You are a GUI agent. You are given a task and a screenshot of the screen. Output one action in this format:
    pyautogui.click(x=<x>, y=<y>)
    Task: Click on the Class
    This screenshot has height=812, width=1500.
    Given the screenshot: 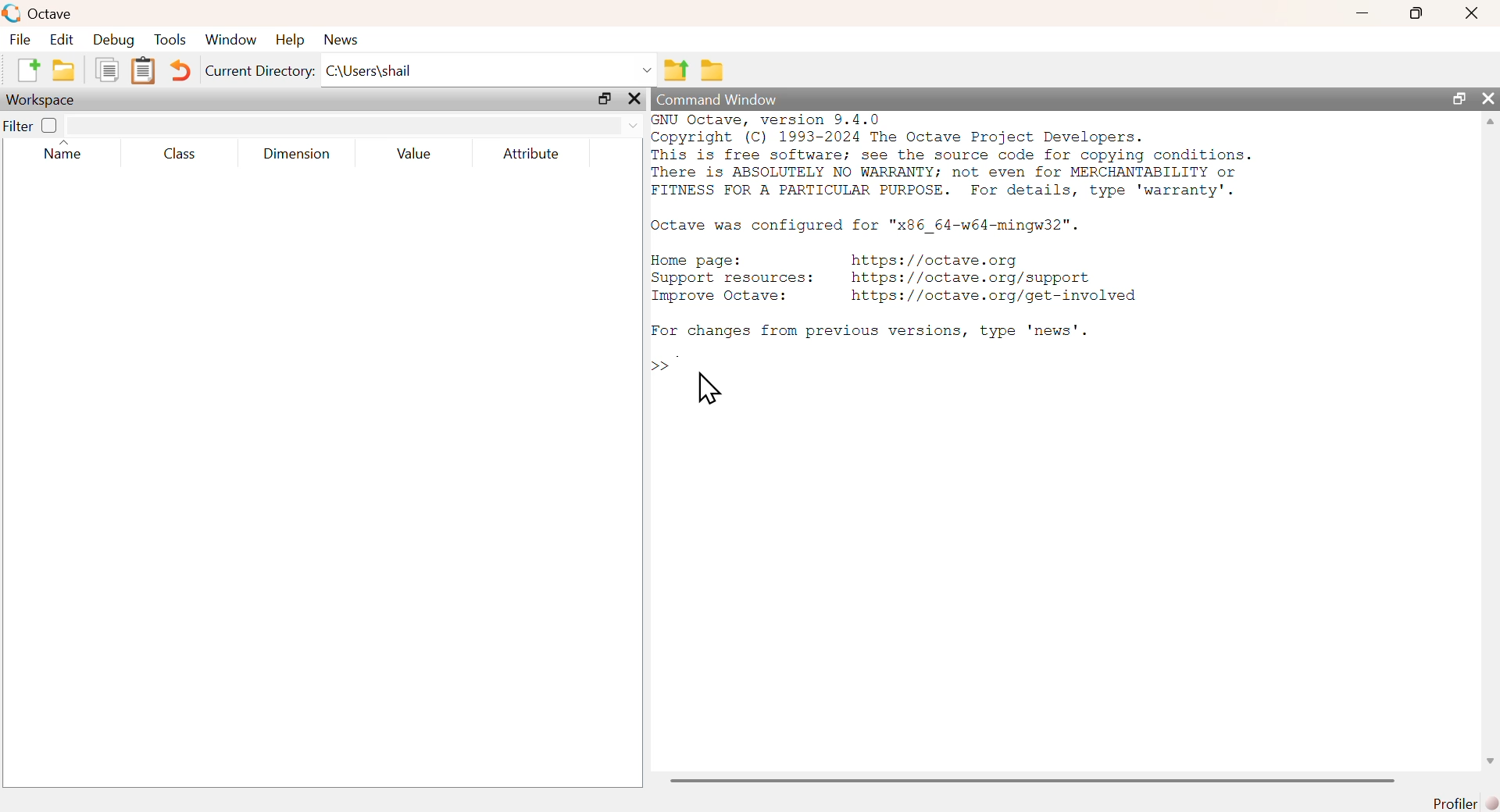 What is the action you would take?
    pyautogui.click(x=186, y=155)
    